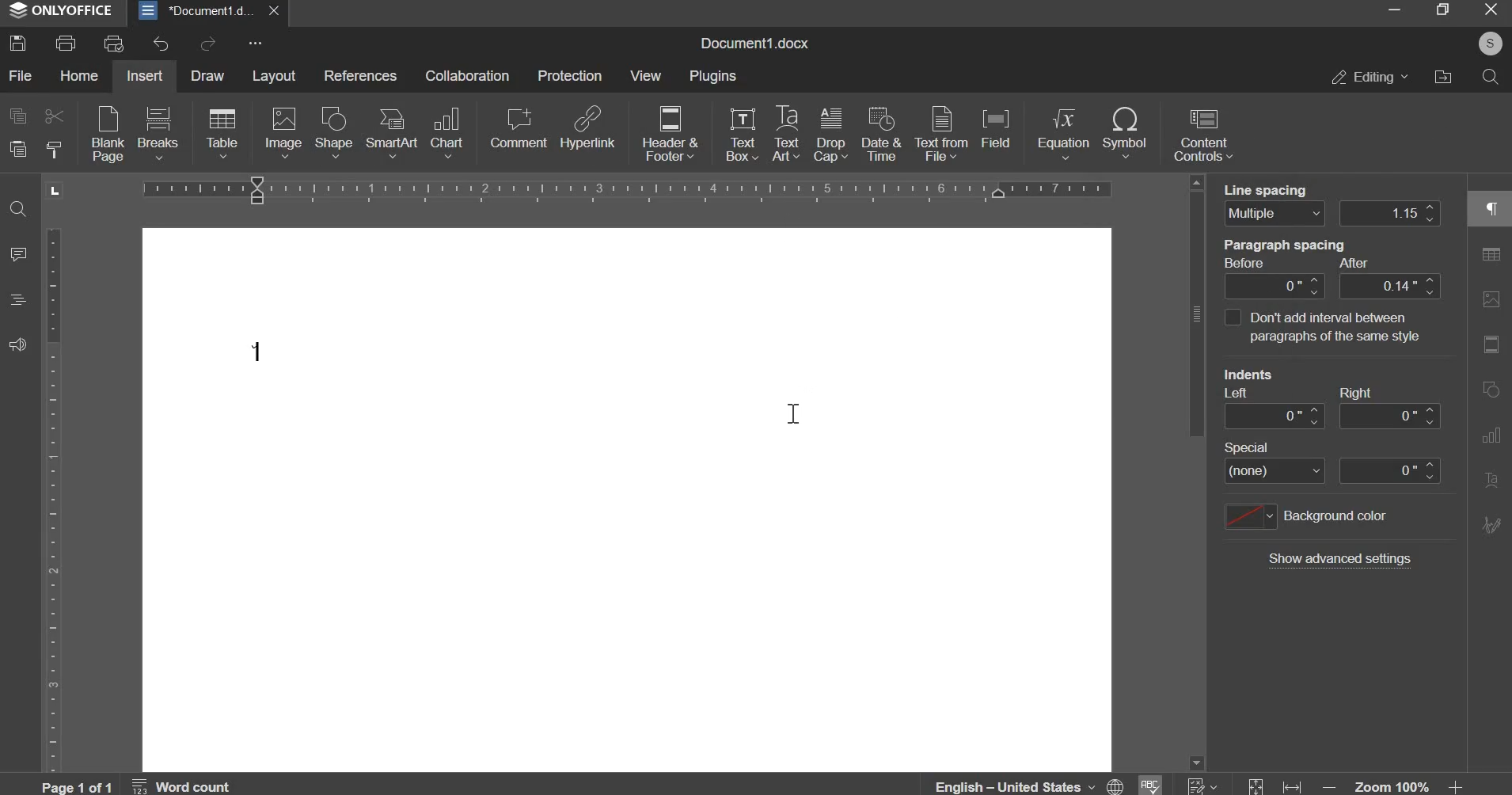 This screenshot has height=795, width=1512. What do you see at coordinates (17, 208) in the screenshot?
I see `find` at bounding box center [17, 208].